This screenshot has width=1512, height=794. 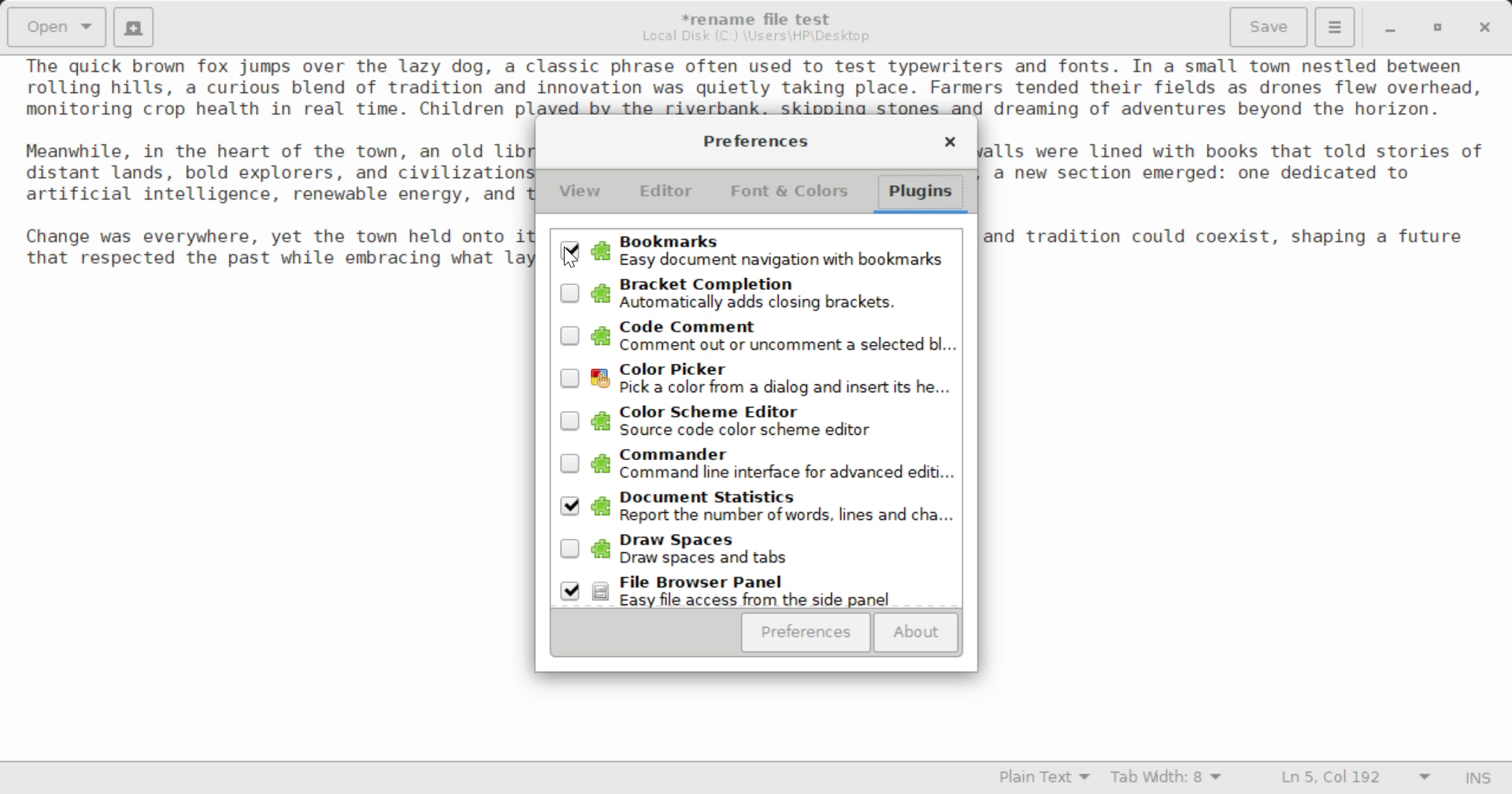 I want to click on Selected Document Statisitics Plugin, so click(x=756, y=509).